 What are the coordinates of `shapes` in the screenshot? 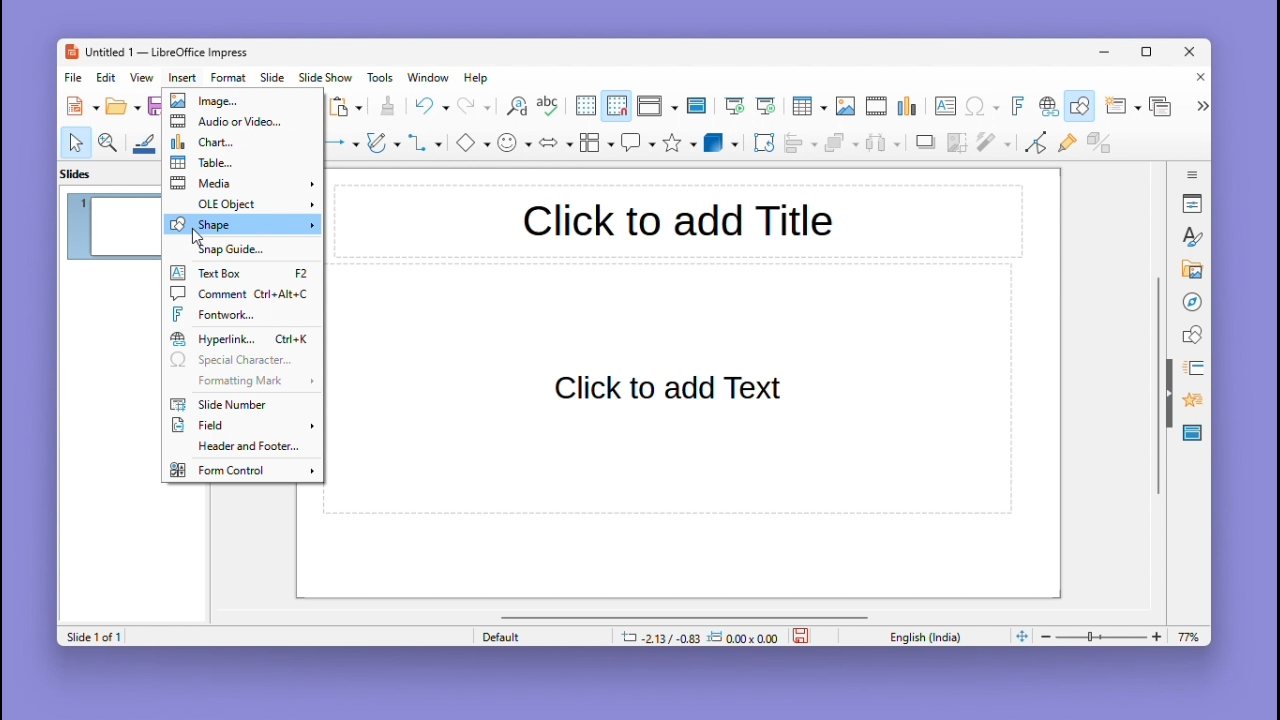 It's located at (1192, 333).